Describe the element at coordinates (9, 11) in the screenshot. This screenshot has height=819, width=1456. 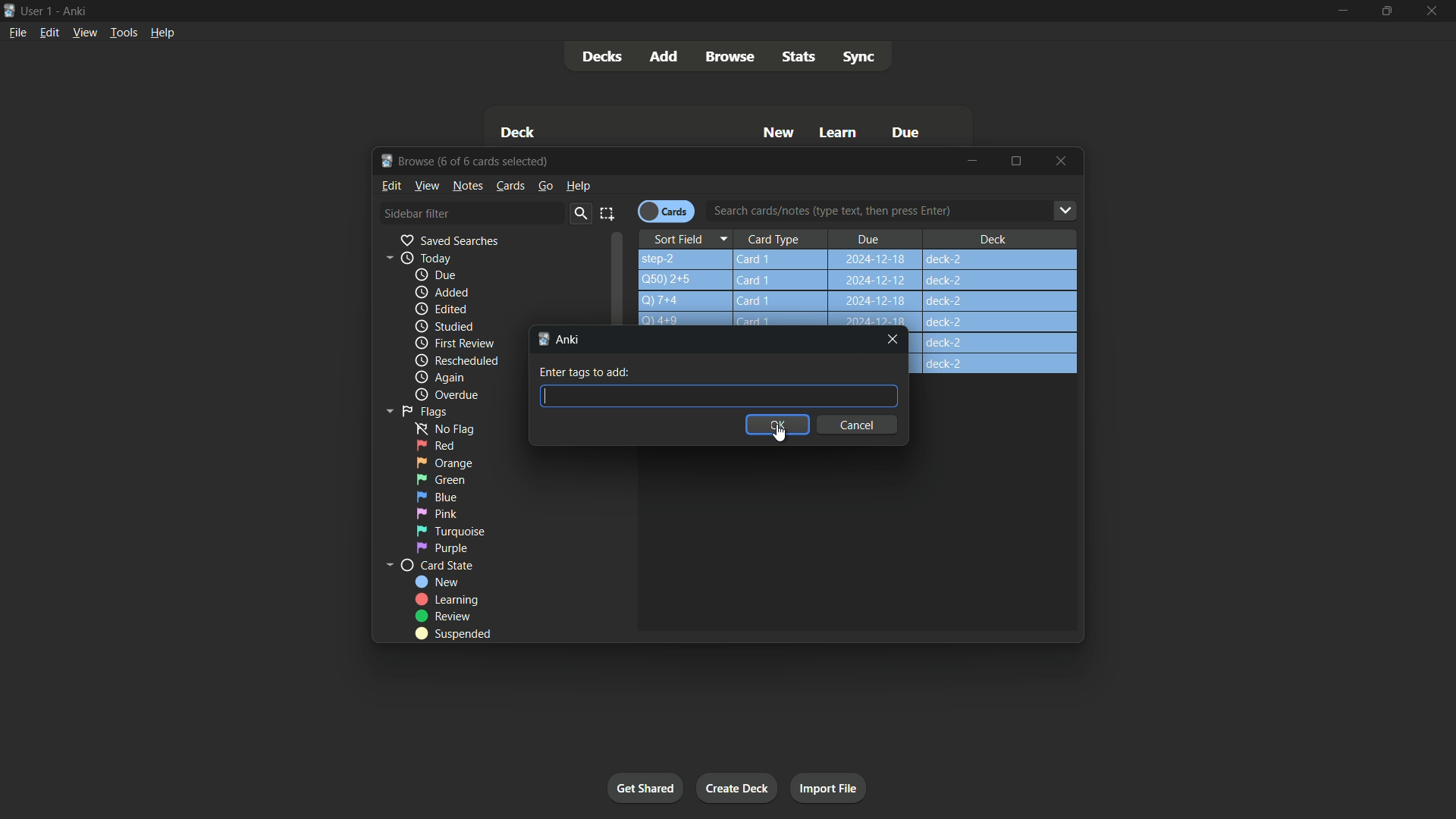
I see `App icon` at that location.